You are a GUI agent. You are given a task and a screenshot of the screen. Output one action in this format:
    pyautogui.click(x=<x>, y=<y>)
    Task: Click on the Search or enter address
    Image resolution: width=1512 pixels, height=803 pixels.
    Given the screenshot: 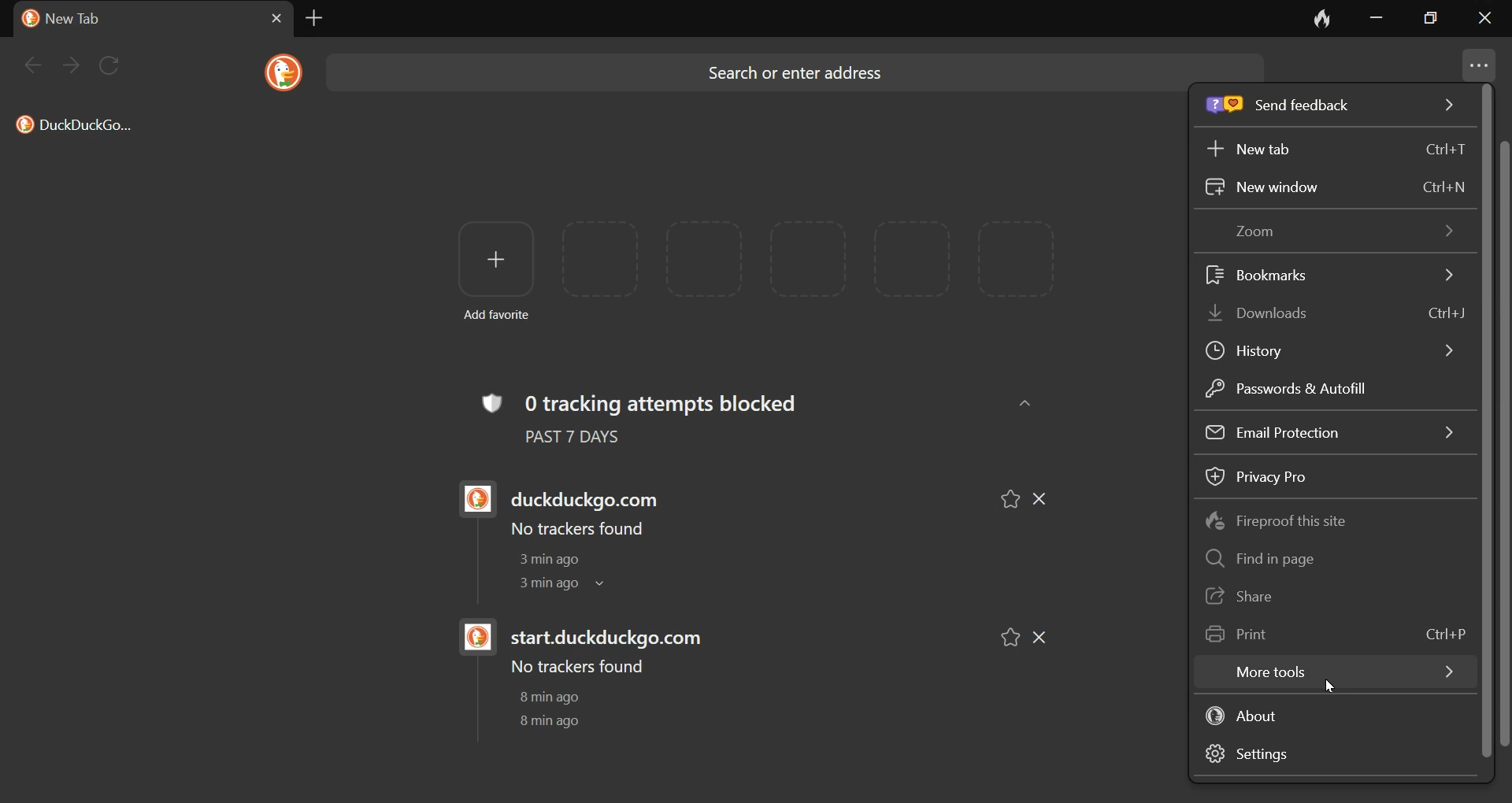 What is the action you would take?
    pyautogui.click(x=804, y=77)
    